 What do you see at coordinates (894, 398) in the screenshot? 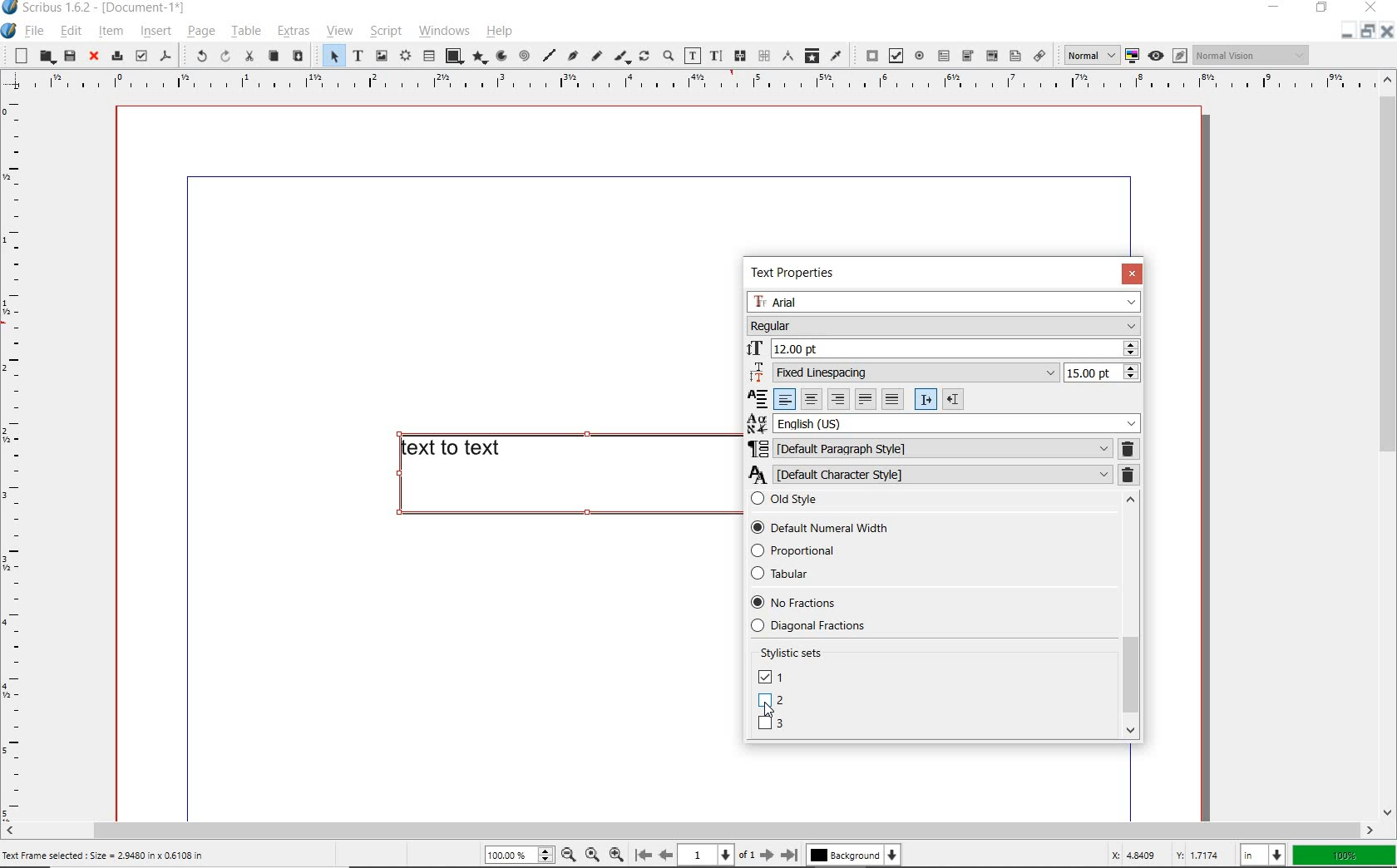
I see `Forced justified` at bounding box center [894, 398].